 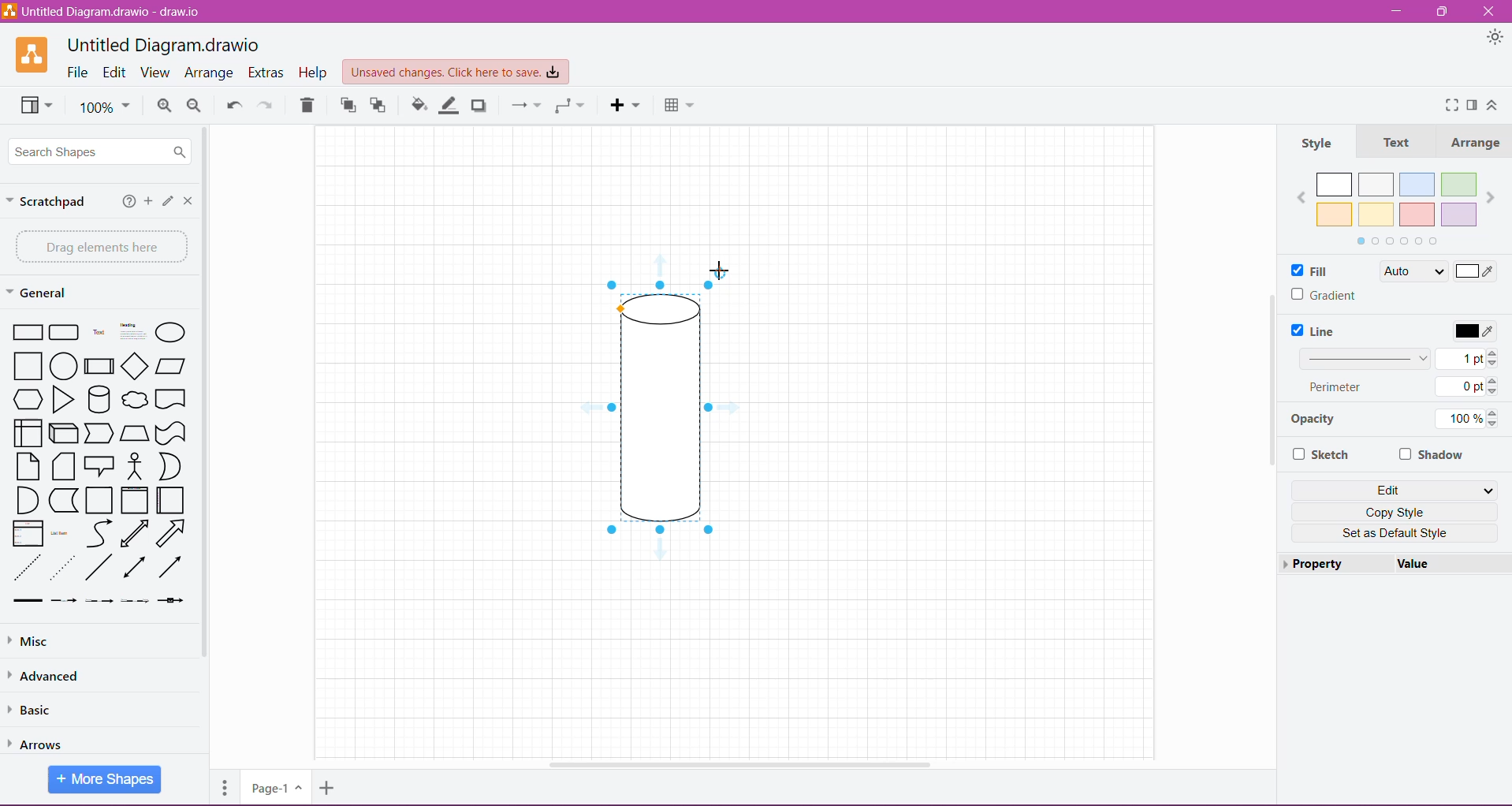 I want to click on Value, so click(x=1415, y=564).